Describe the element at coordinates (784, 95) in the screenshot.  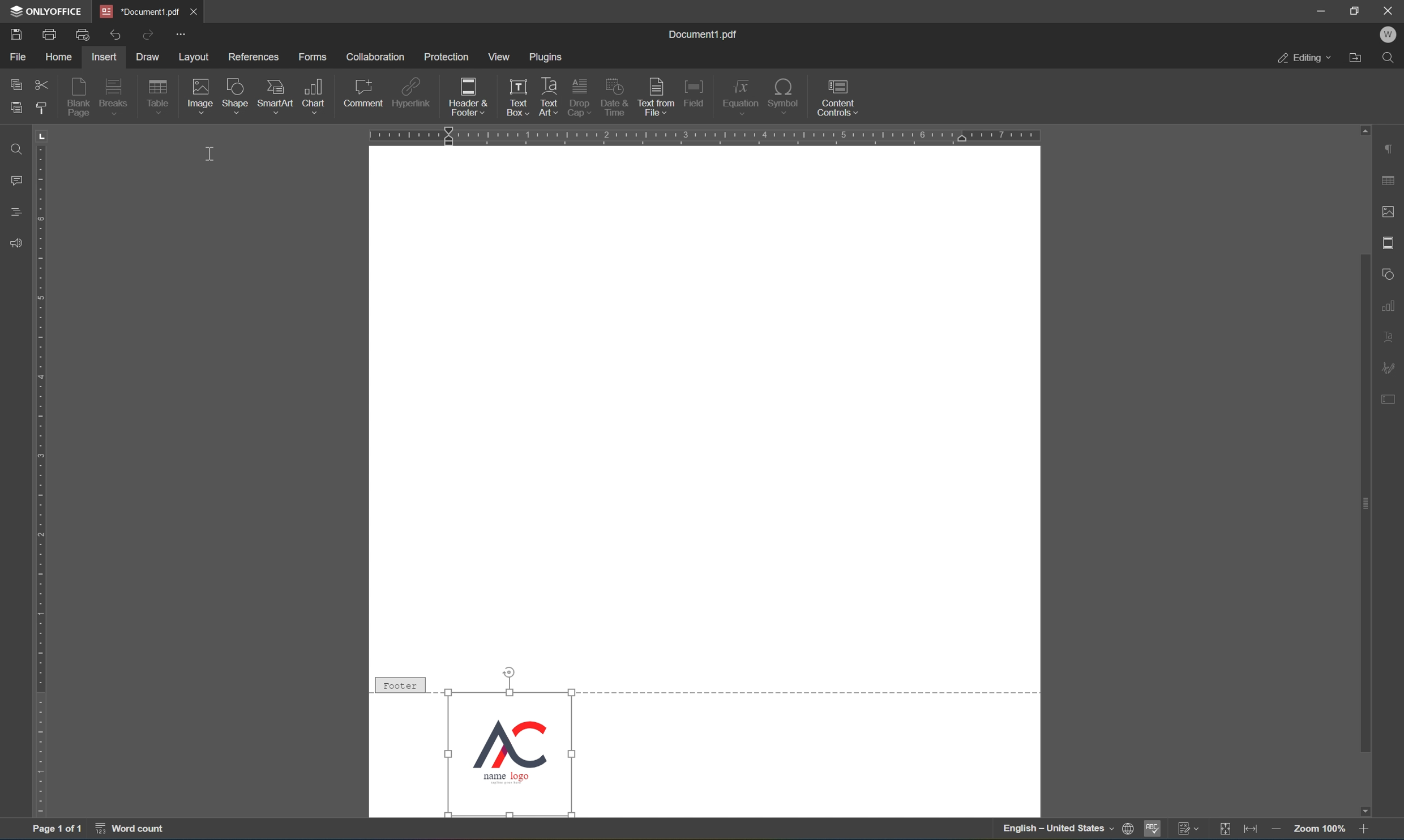
I see `symbol` at that location.